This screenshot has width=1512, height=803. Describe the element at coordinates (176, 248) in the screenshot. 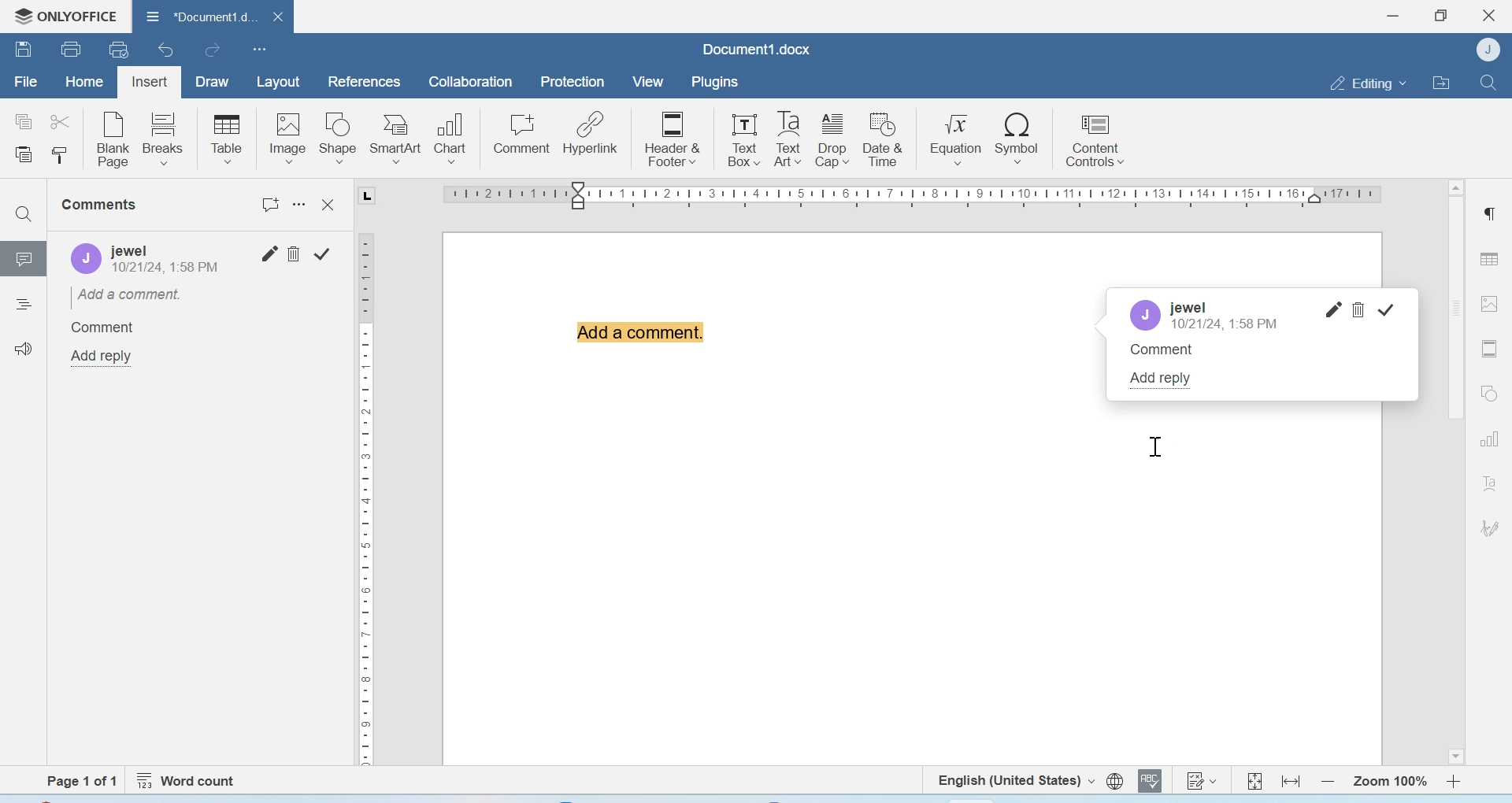

I see `jewel` at that location.